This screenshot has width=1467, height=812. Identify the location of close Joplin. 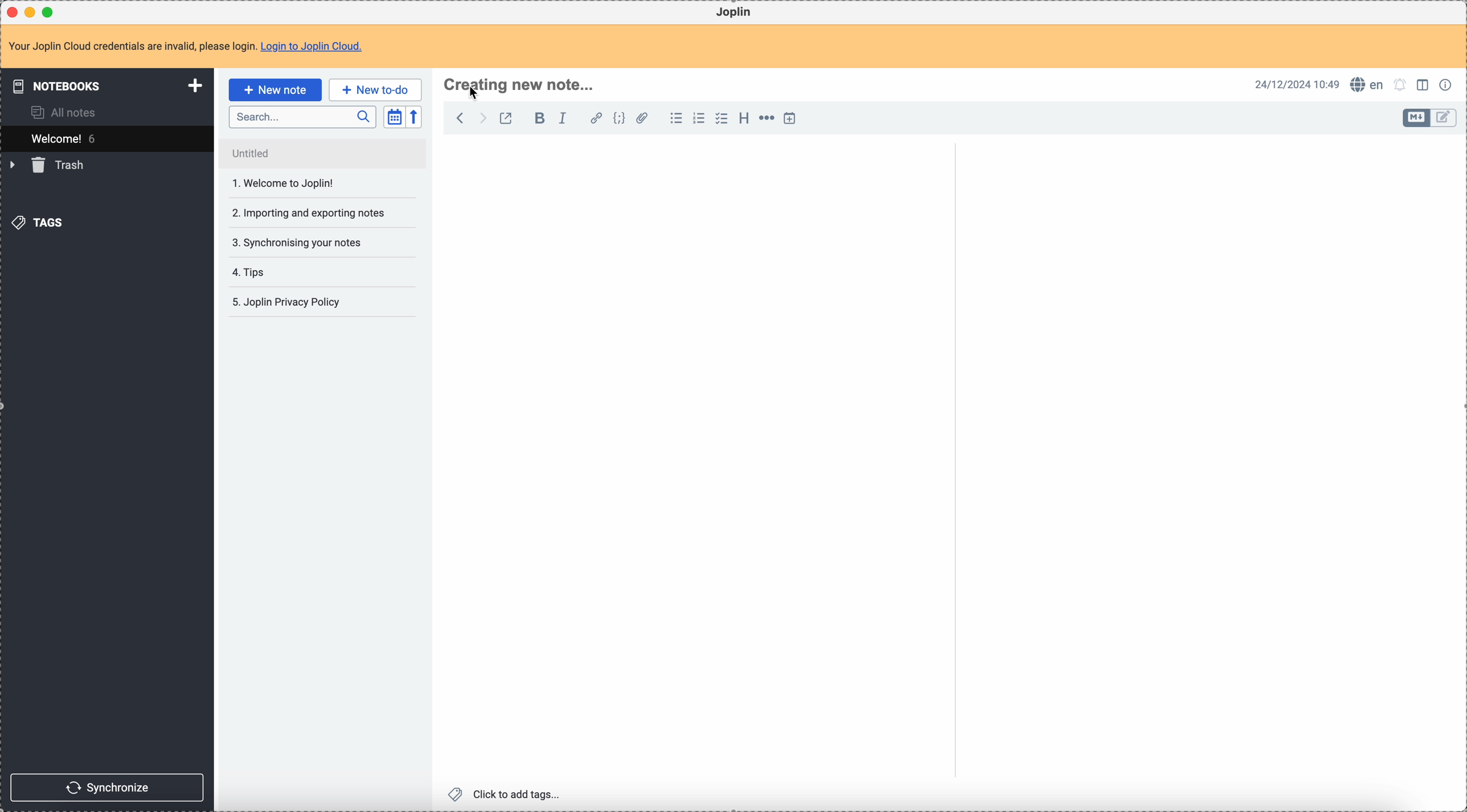
(11, 12).